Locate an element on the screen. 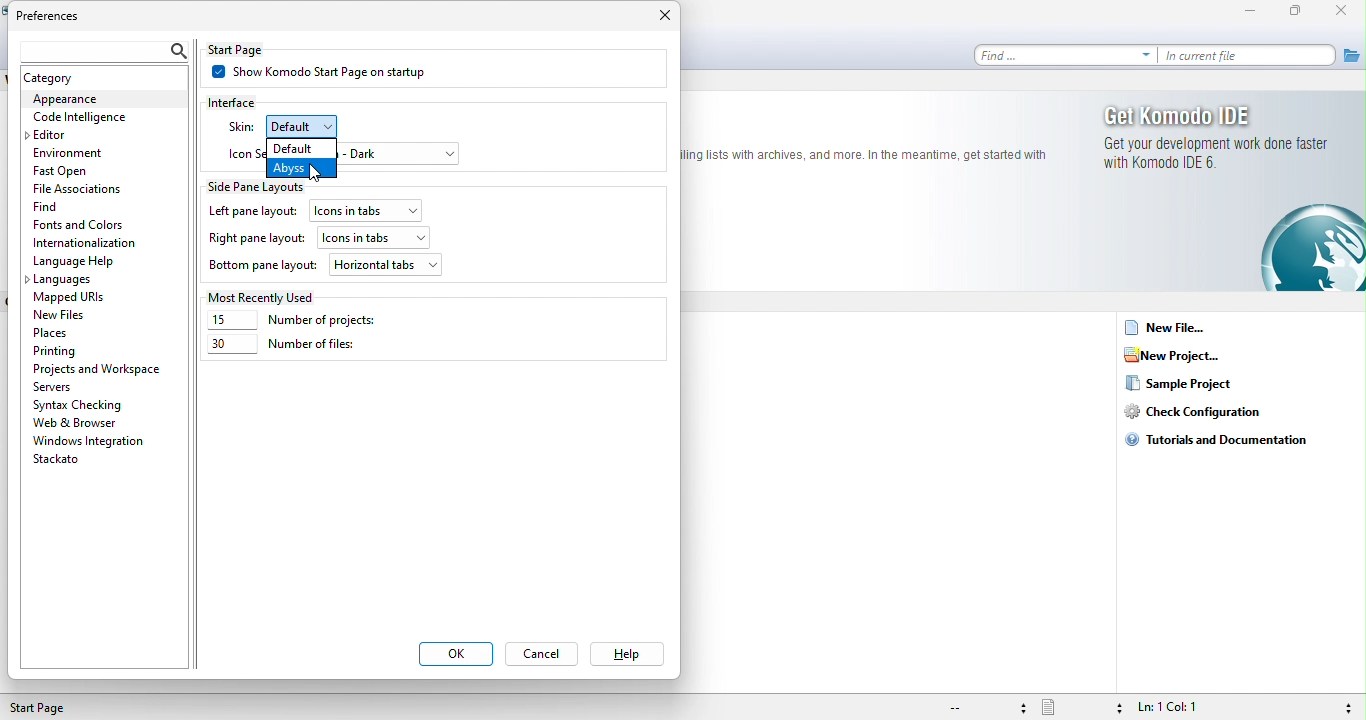  ok is located at coordinates (455, 655).